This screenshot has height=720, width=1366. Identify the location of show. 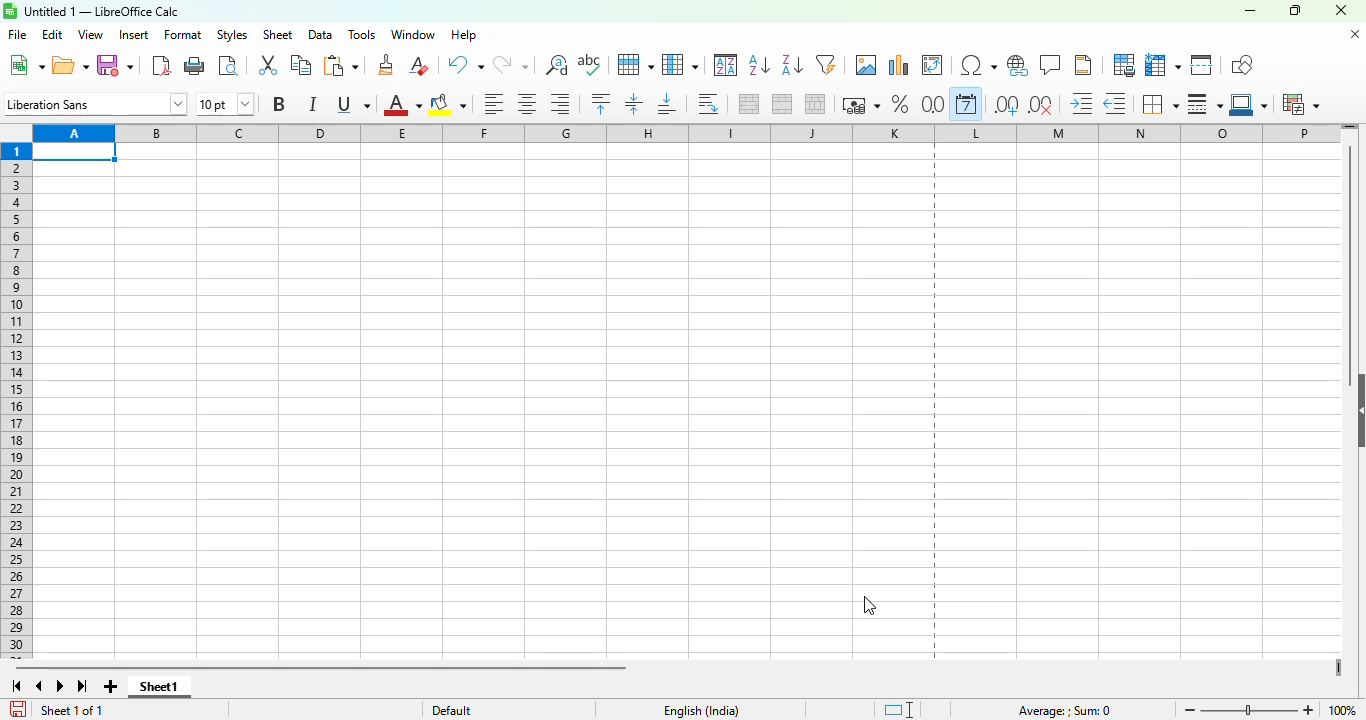
(1357, 409).